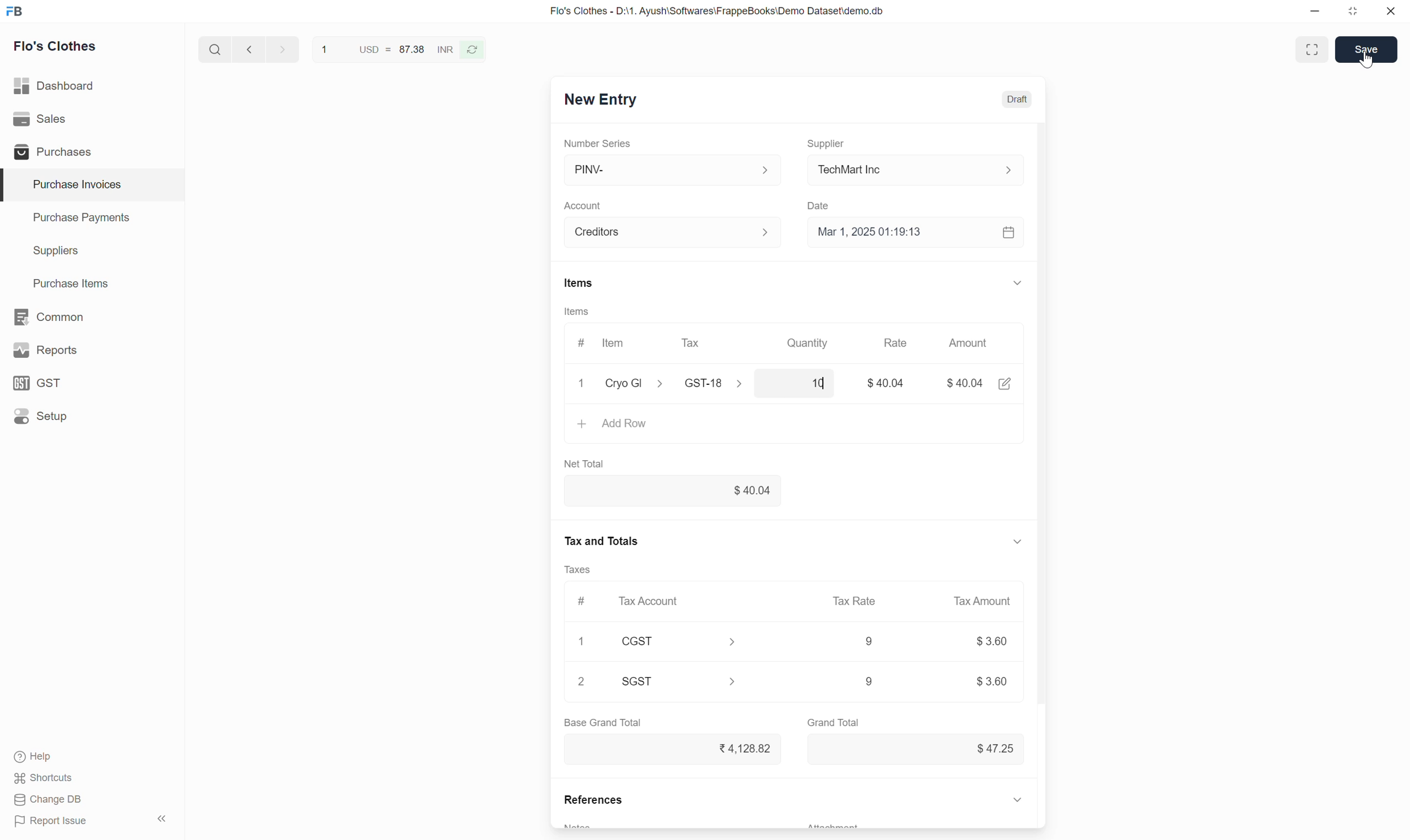  Describe the element at coordinates (474, 49) in the screenshot. I see `refresh ` at that location.